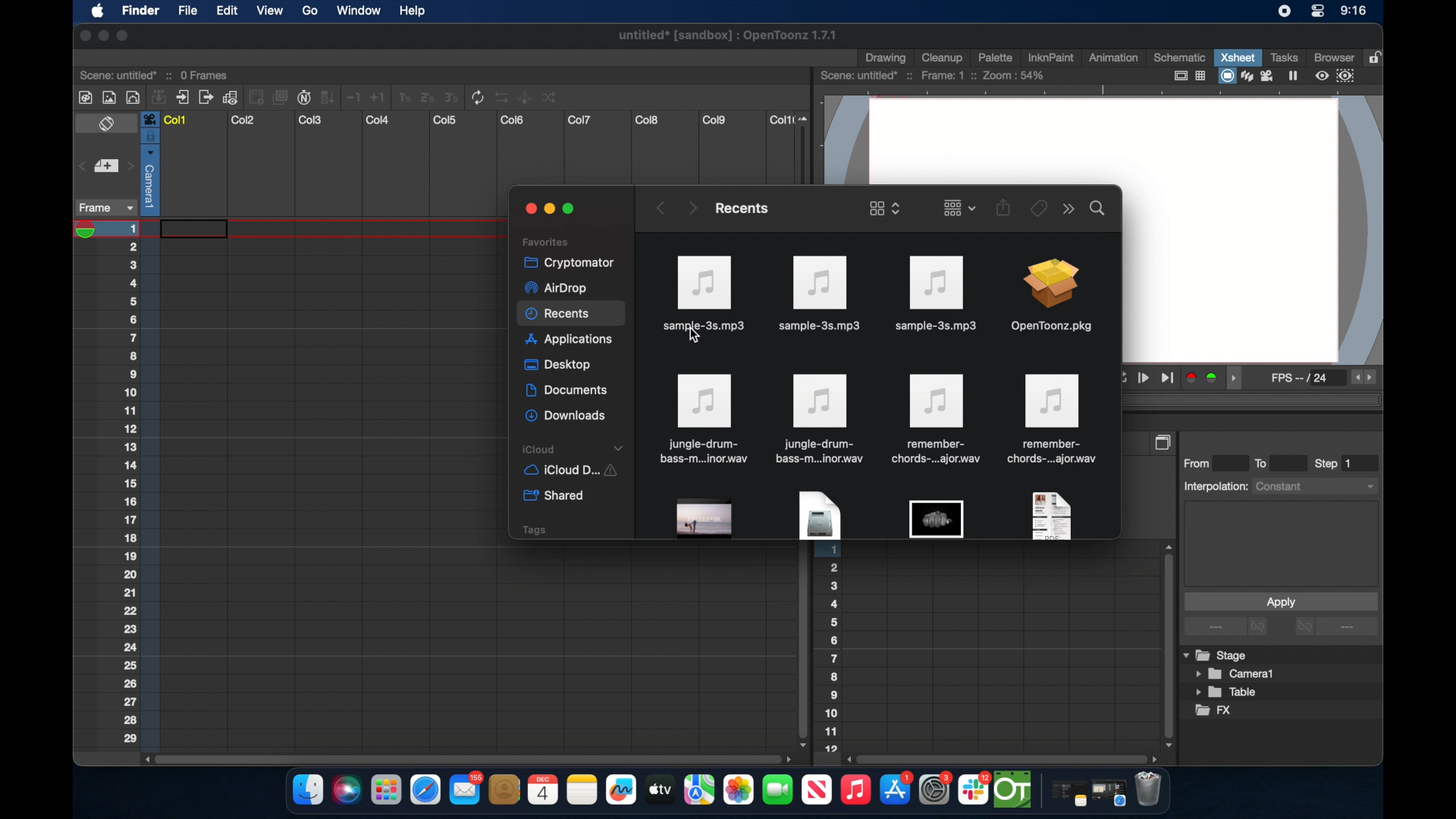 This screenshot has width=1456, height=819. What do you see at coordinates (699, 790) in the screenshot?
I see `imaps` at bounding box center [699, 790].